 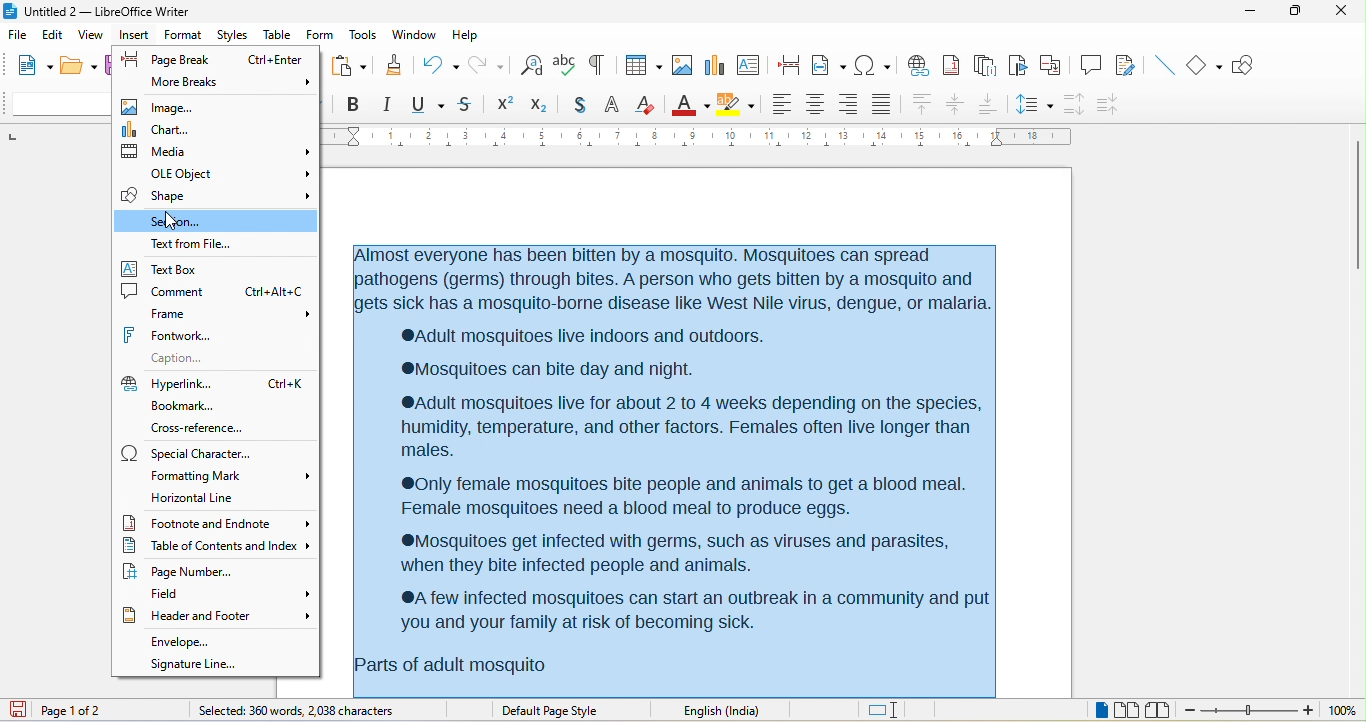 I want to click on font color, so click(x=689, y=102).